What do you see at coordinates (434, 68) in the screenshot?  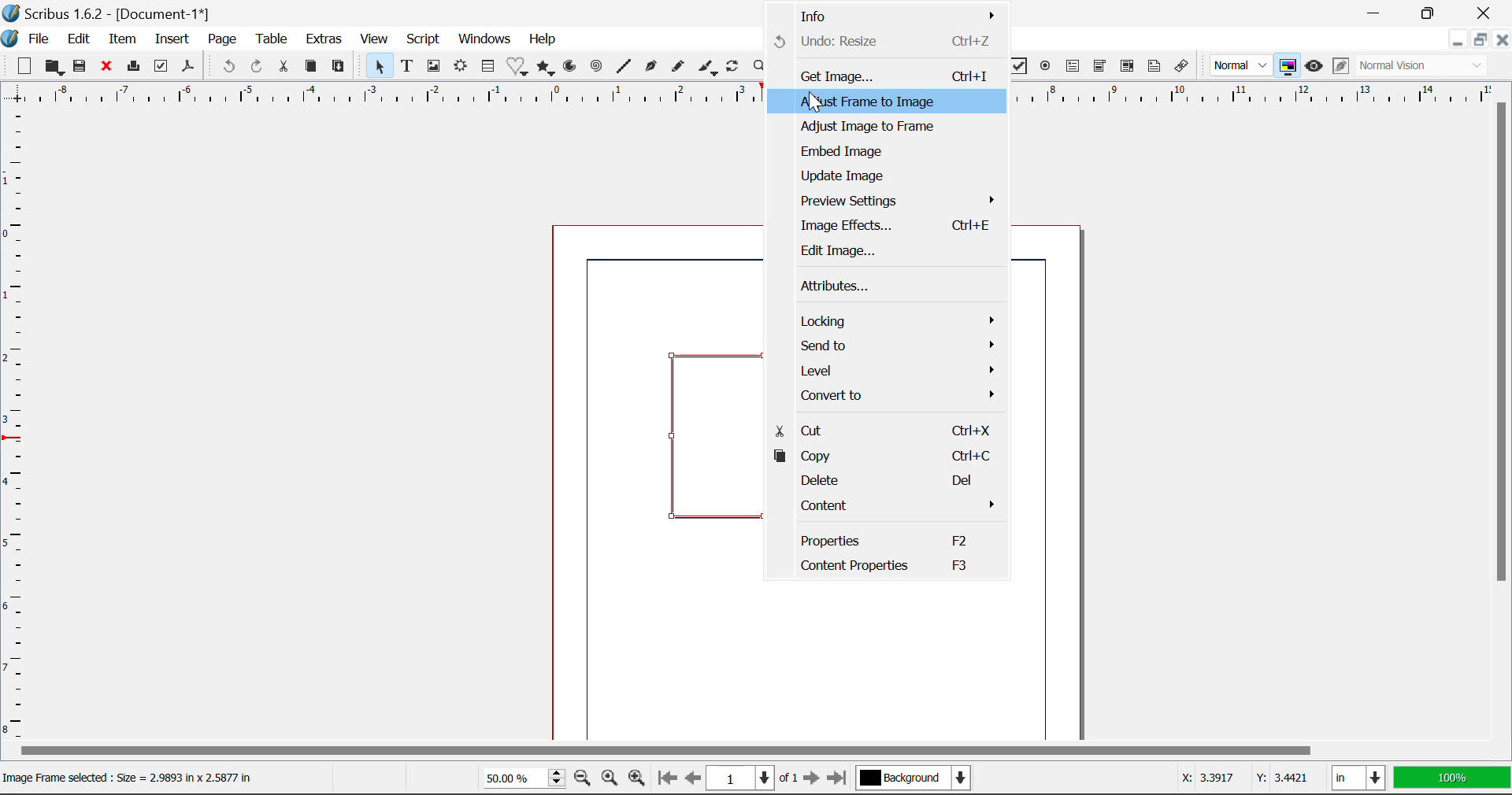 I see `Image Frame` at bounding box center [434, 68].